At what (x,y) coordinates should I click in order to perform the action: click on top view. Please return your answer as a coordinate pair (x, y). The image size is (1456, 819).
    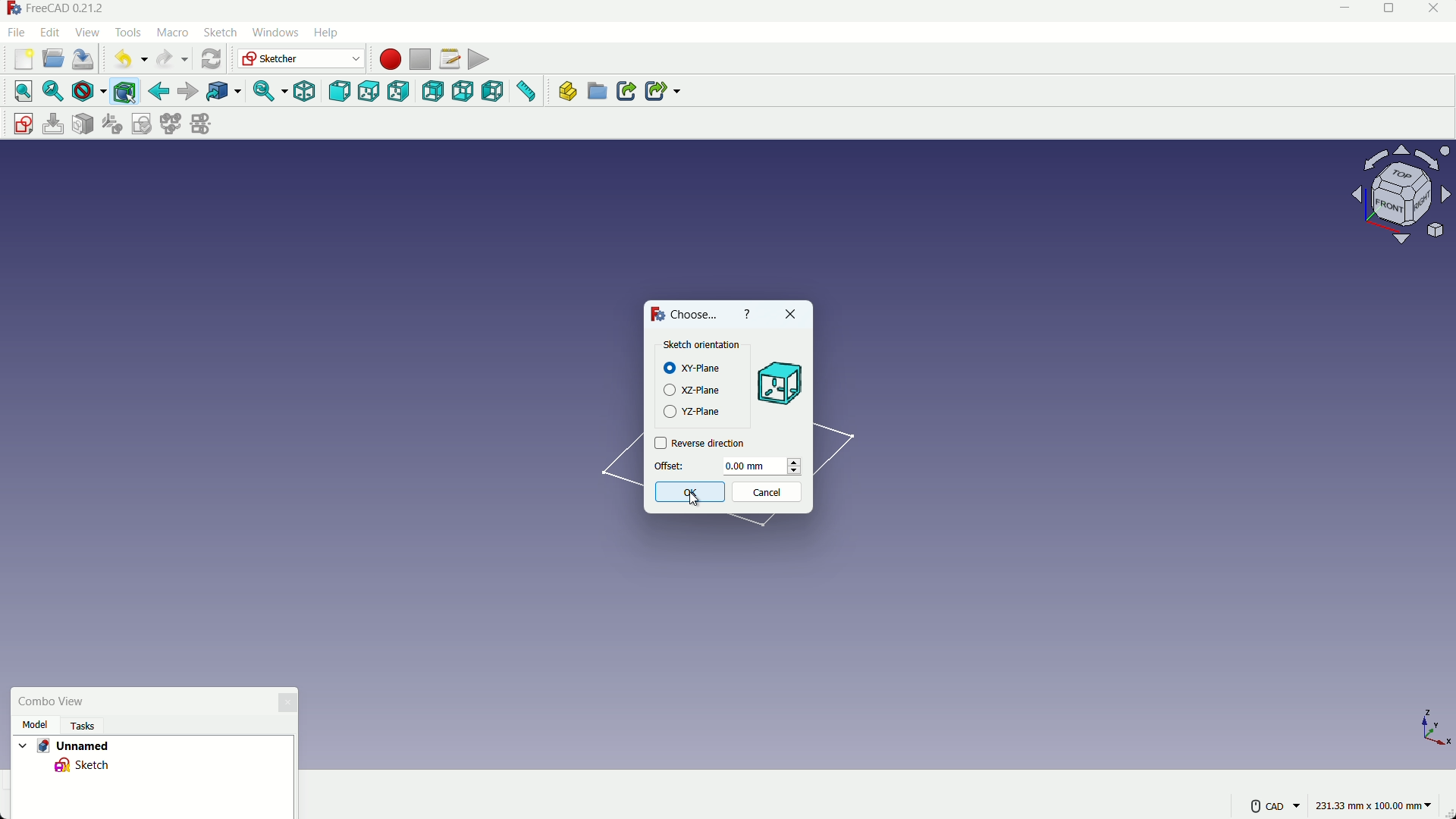
    Looking at the image, I should click on (368, 93).